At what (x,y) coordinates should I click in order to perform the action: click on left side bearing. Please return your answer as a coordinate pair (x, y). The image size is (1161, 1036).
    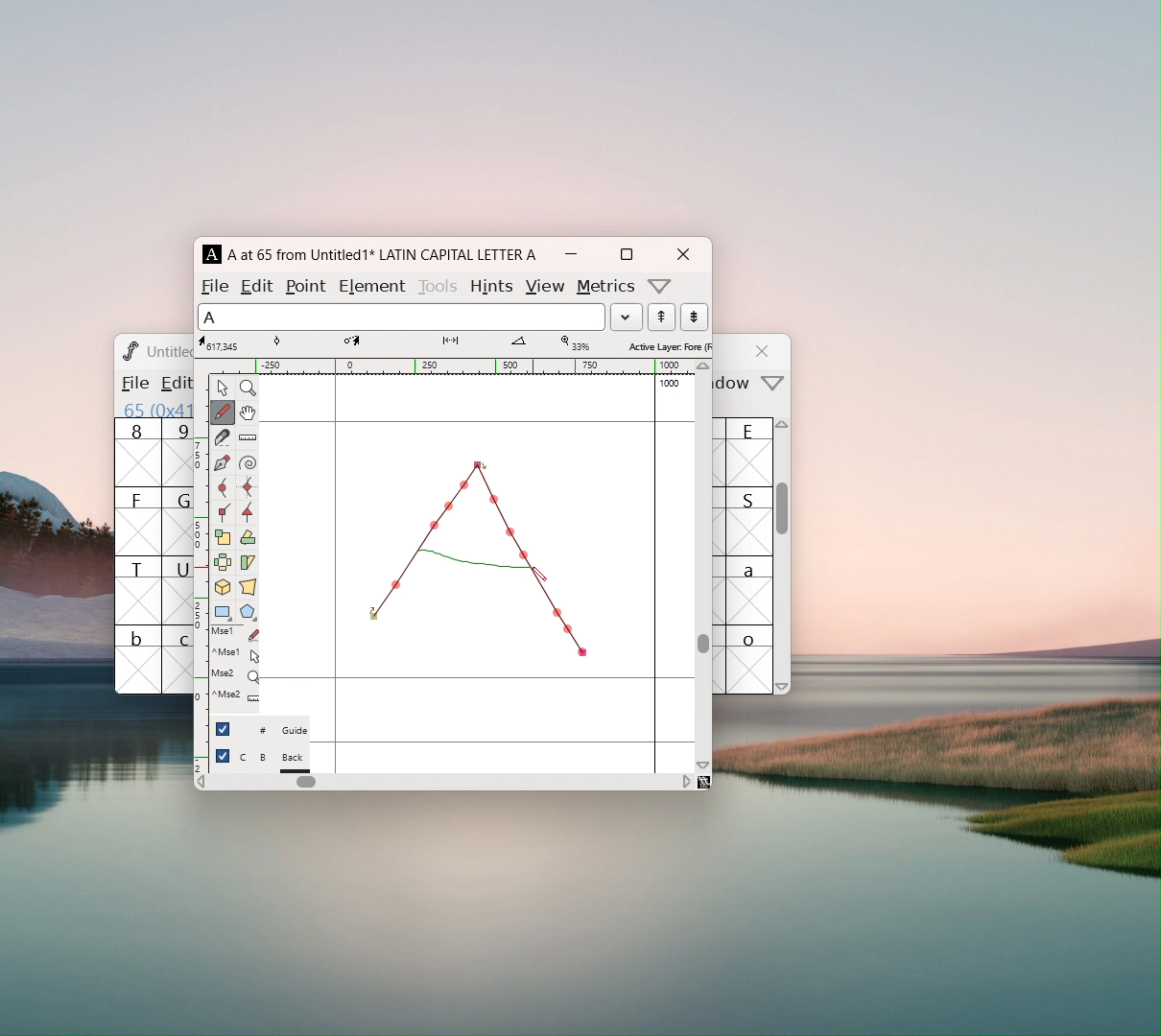
    Looking at the image, I should click on (336, 573).